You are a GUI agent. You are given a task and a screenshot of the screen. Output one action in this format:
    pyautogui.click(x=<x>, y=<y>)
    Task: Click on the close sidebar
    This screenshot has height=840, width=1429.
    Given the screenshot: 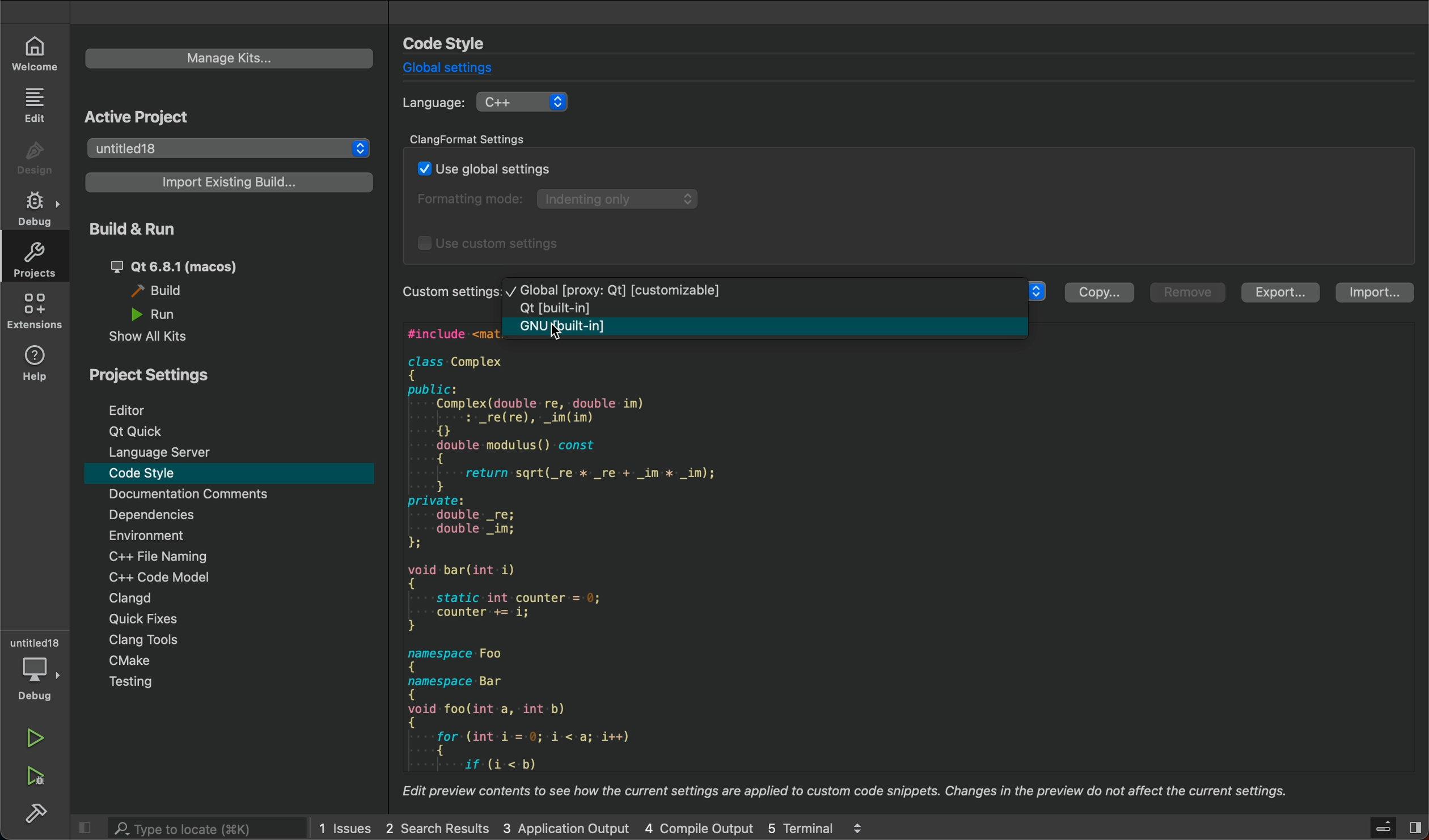 What is the action you would take?
    pyautogui.click(x=1397, y=827)
    